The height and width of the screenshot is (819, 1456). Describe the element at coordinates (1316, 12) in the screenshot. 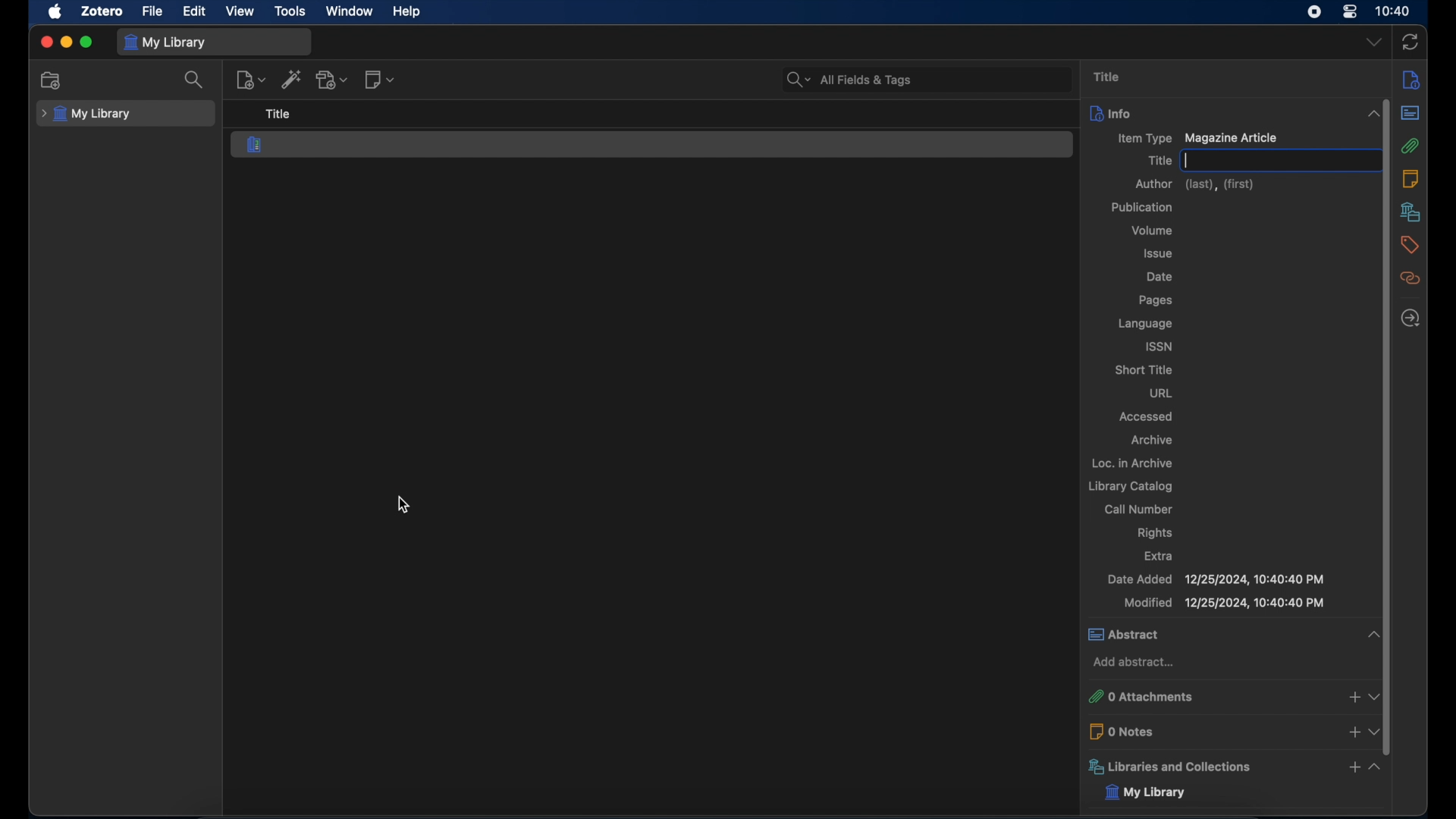

I see `screen recorder` at that location.